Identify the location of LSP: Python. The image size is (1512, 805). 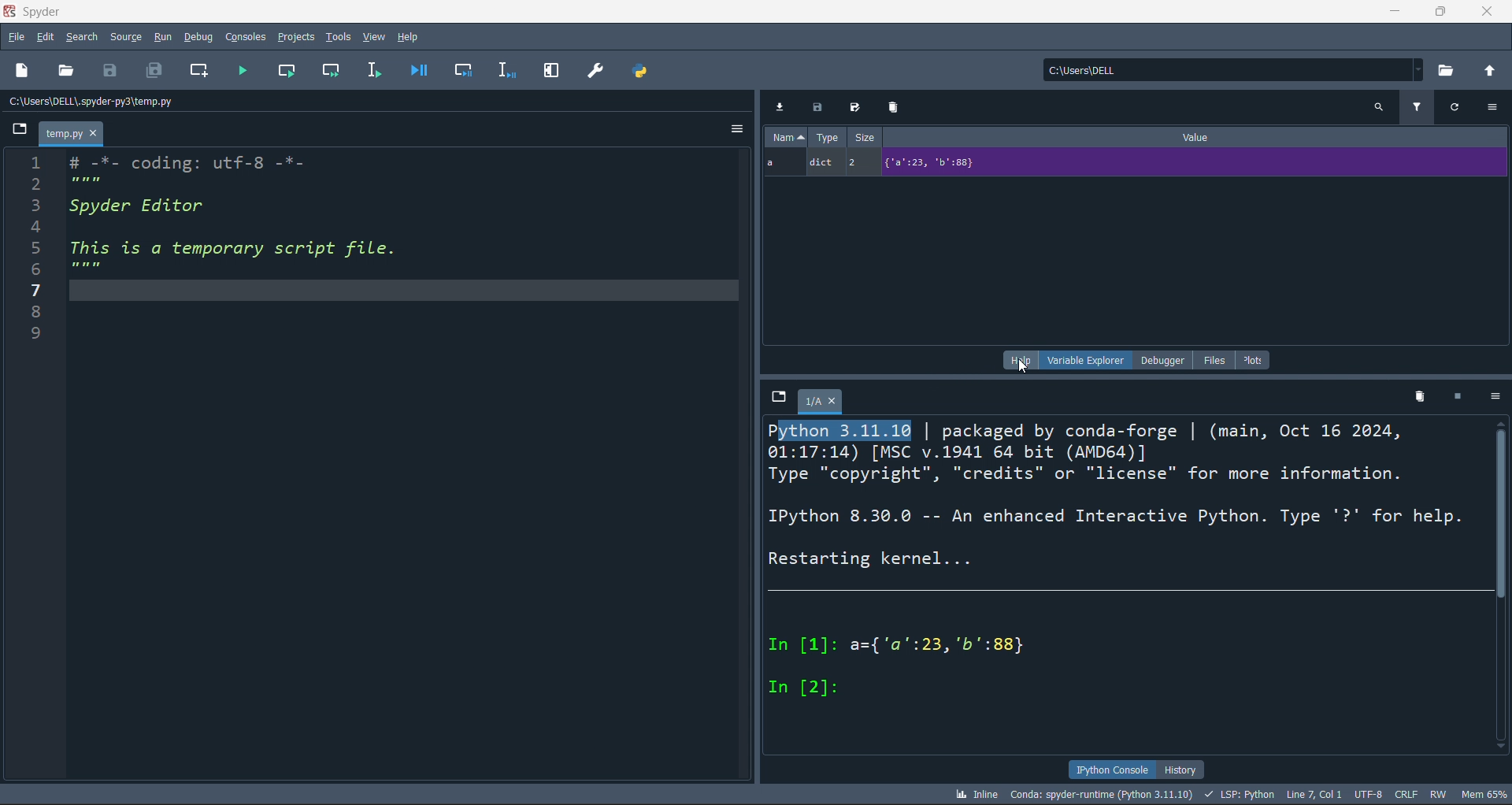
(1240, 796).